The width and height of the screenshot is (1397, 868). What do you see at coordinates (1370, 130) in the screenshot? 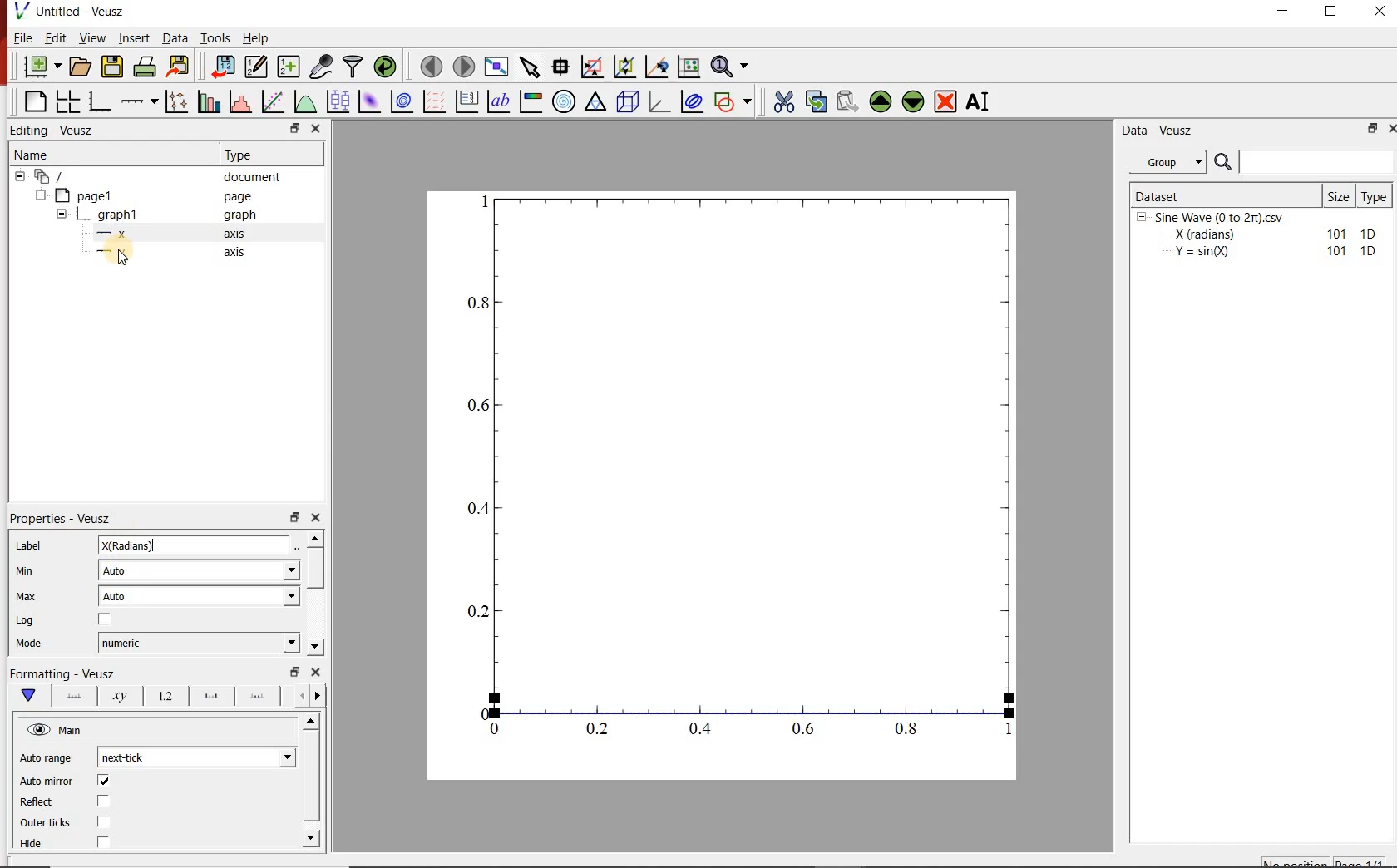
I see `Min/Max` at bounding box center [1370, 130].